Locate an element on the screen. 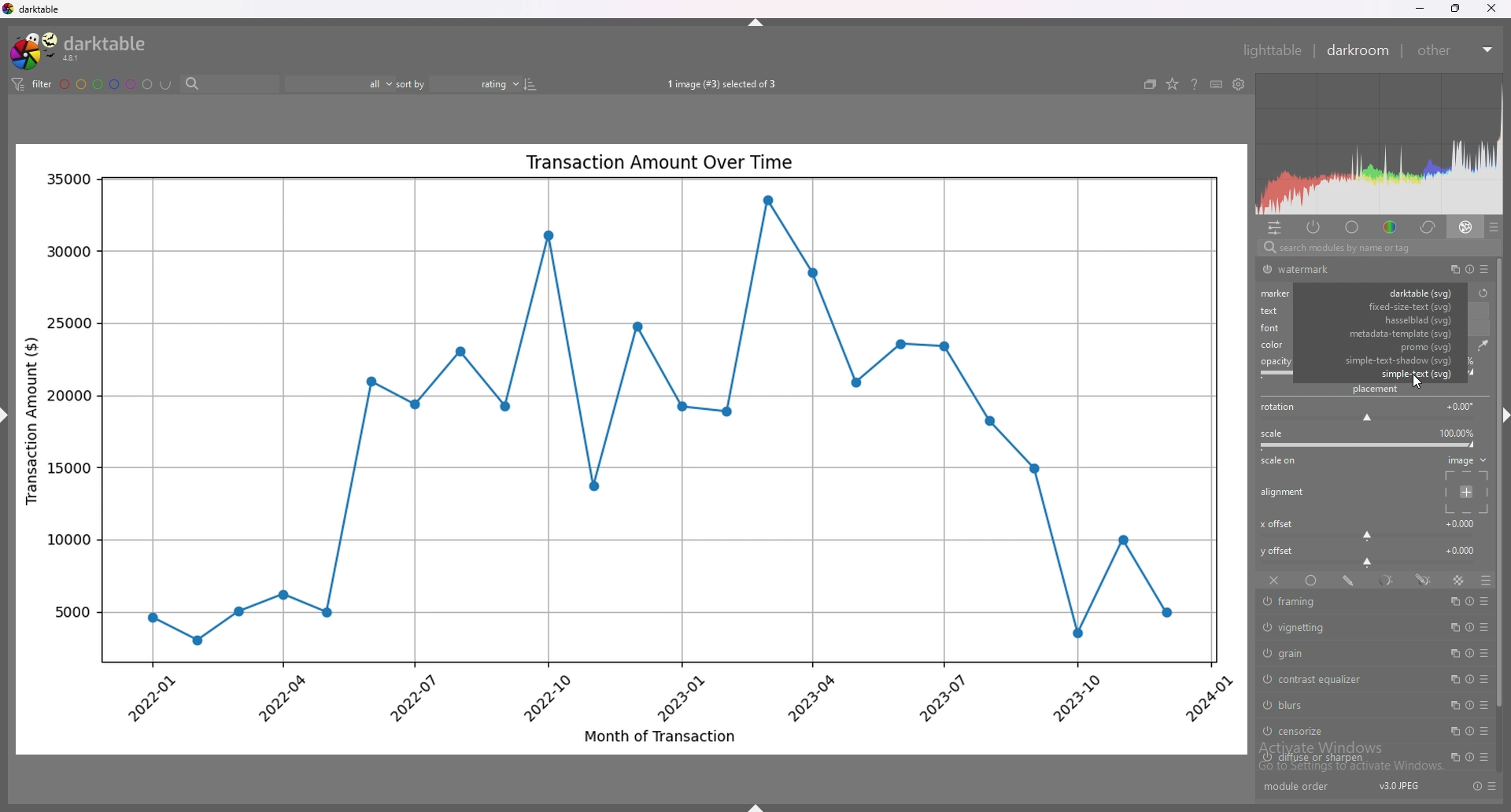 The image size is (1511, 812). scale percentage is located at coordinates (1456, 433).